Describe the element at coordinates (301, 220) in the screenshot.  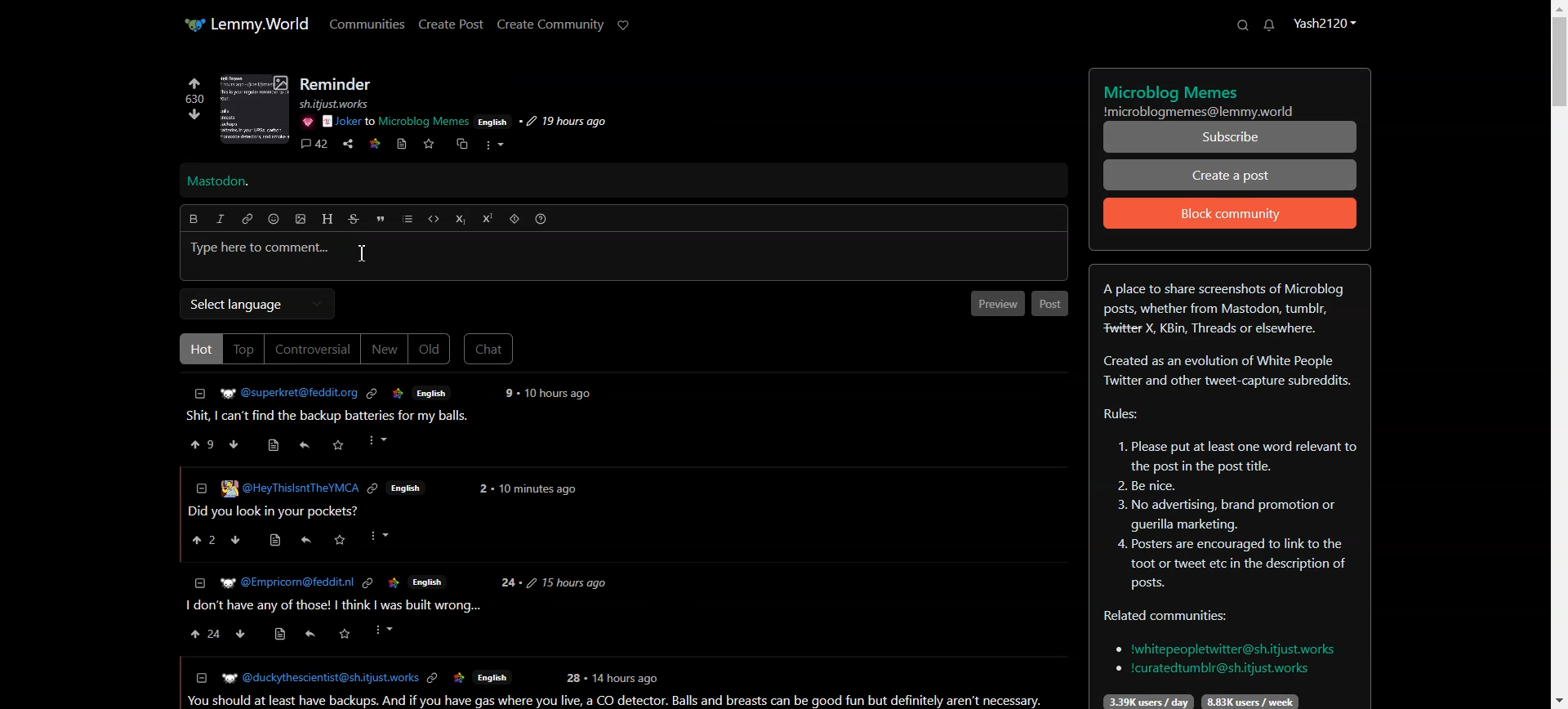
I see `Insert picture` at that location.